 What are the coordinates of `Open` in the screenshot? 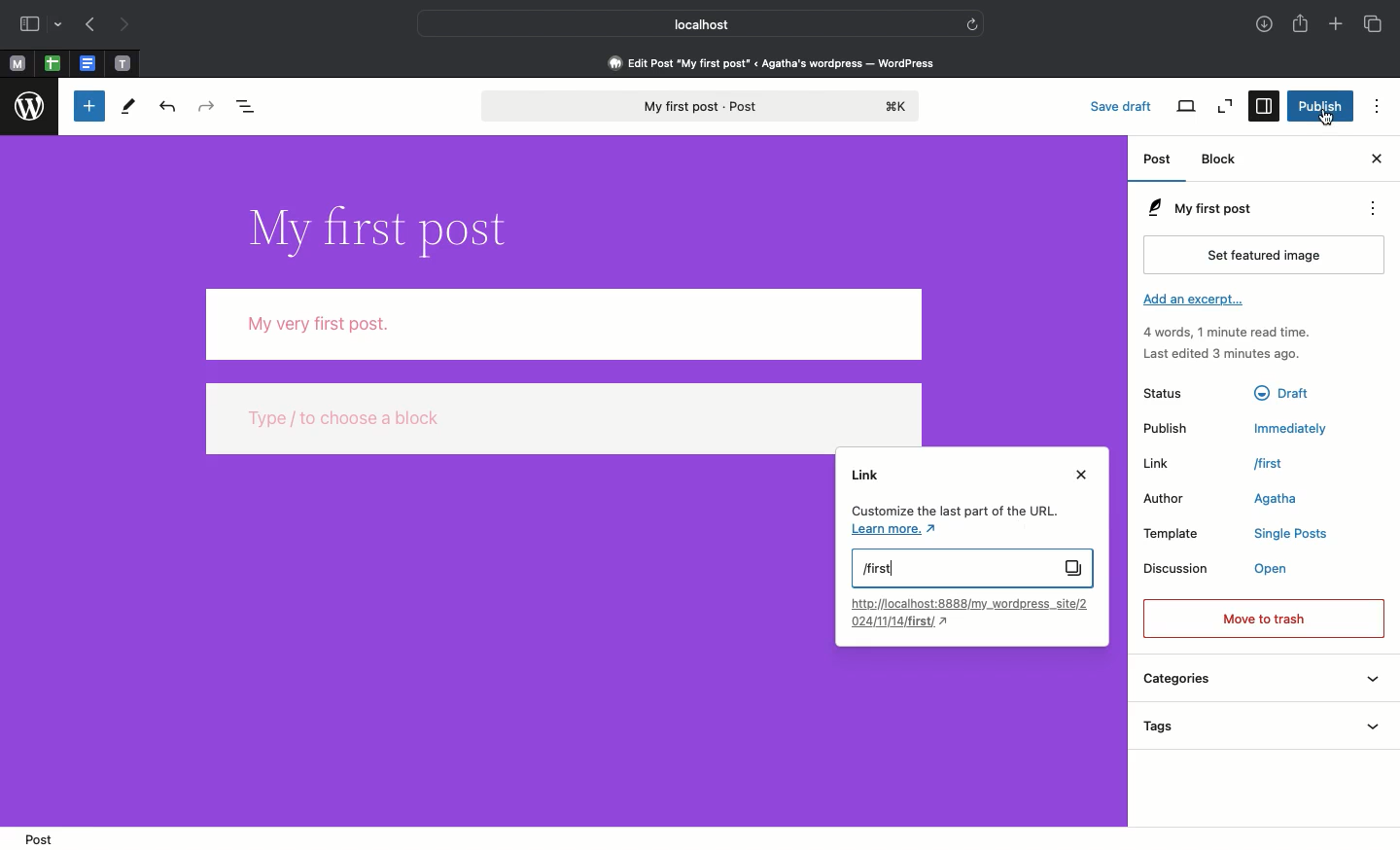 It's located at (1277, 569).